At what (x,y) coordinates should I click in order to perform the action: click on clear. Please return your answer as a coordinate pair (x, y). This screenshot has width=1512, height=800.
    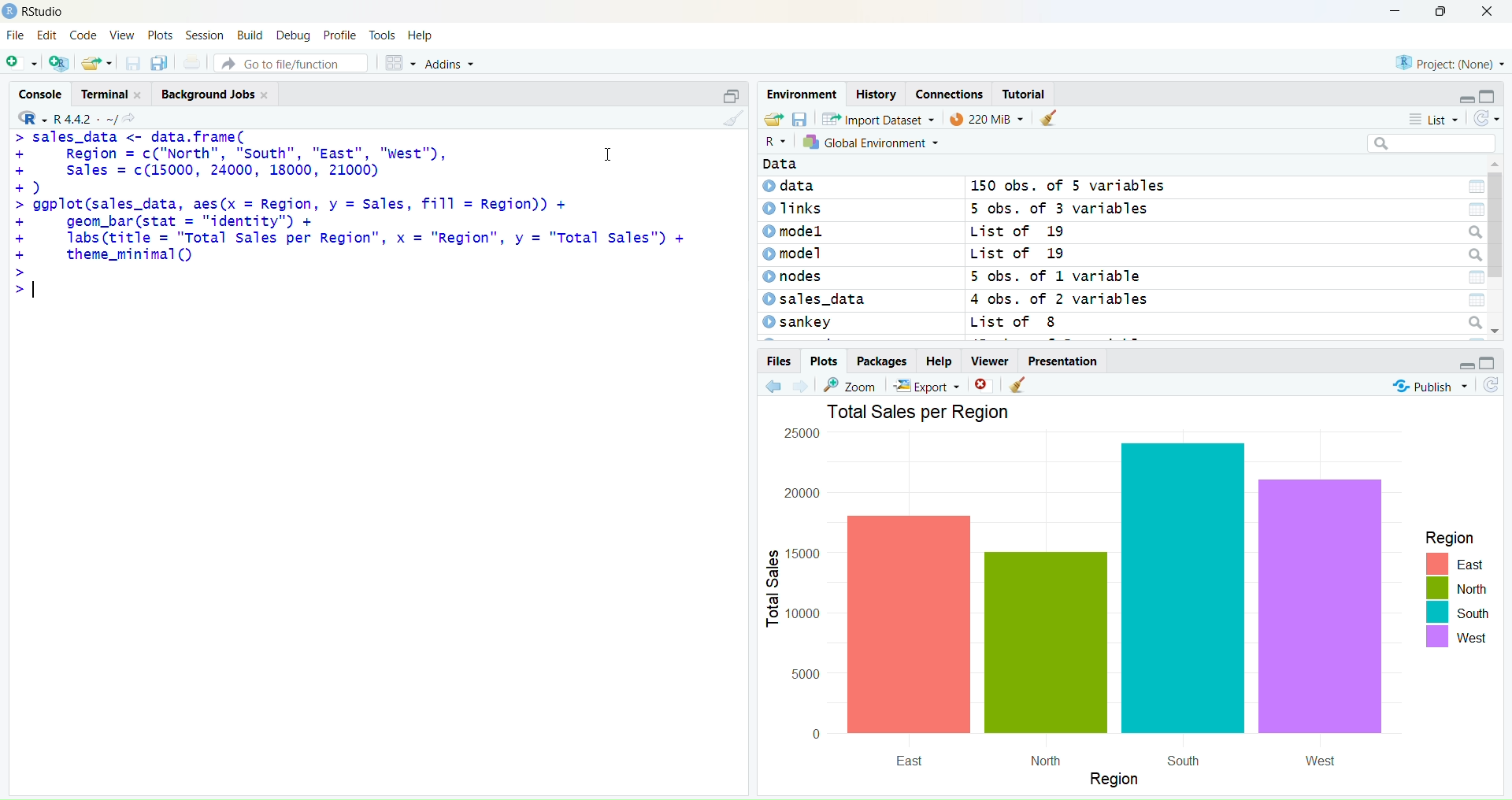
    Looking at the image, I should click on (1051, 120).